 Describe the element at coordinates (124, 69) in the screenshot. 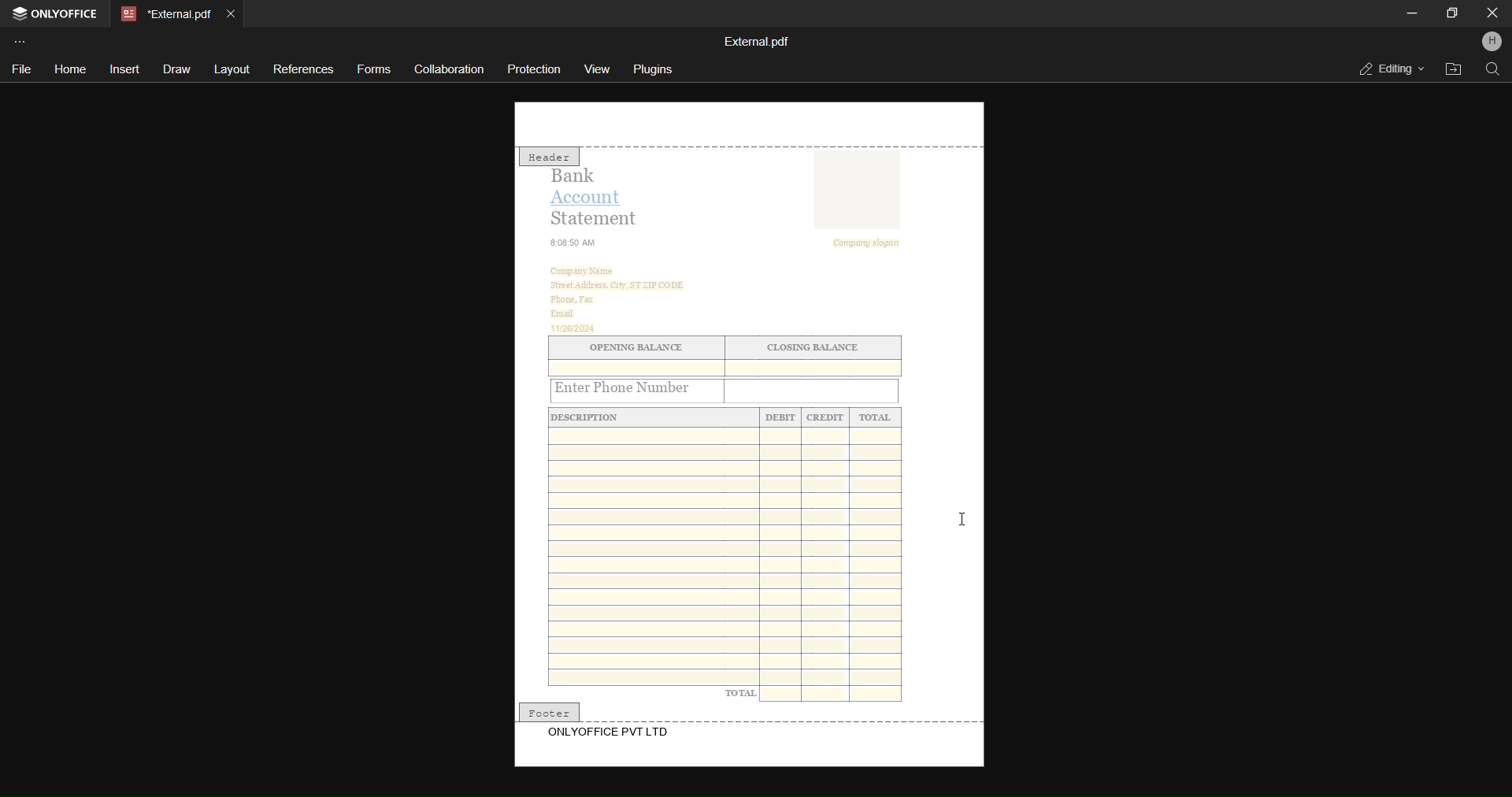

I see `insert` at that location.